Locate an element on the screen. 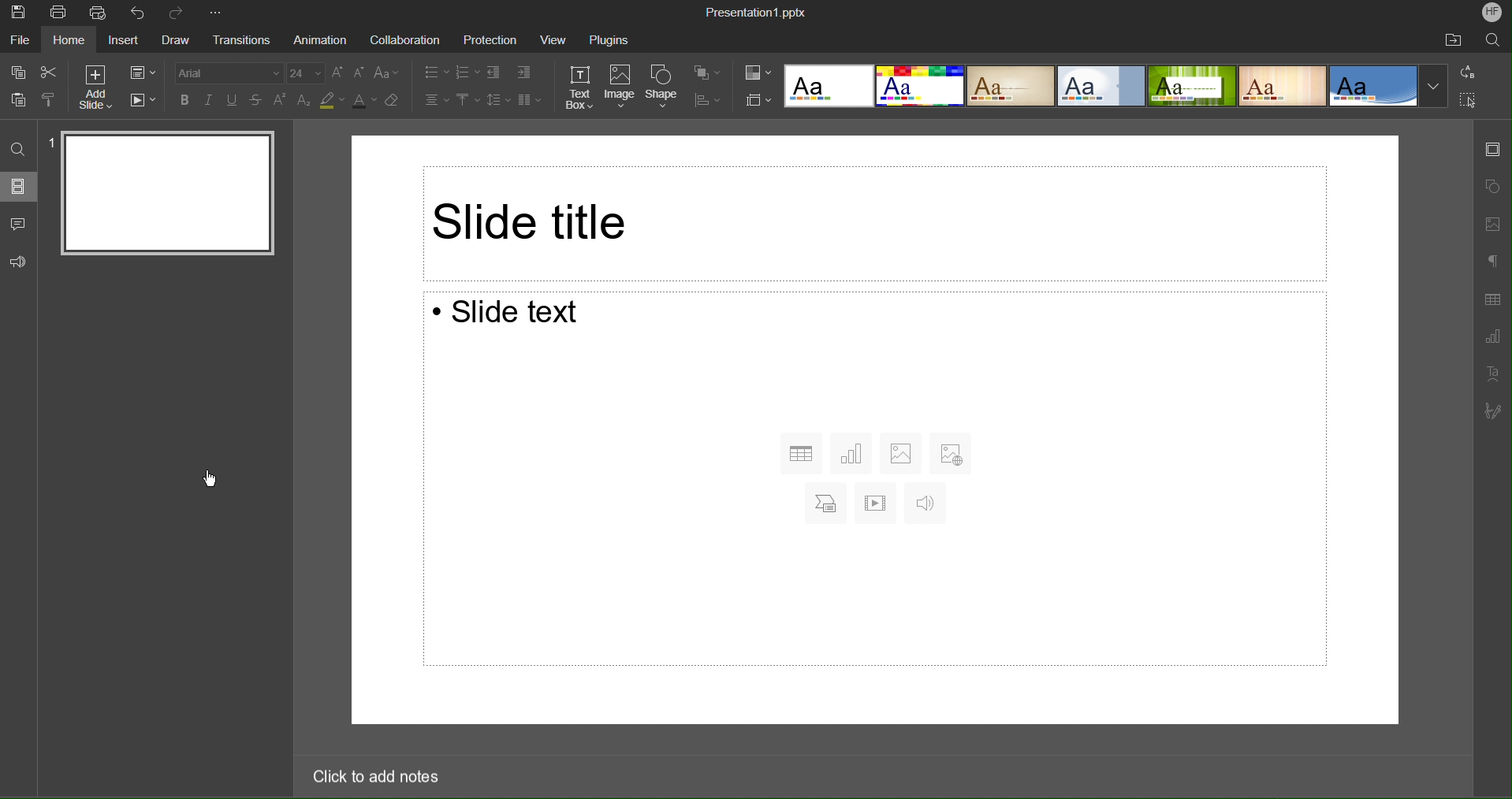  Distribute is located at coordinates (706, 98).